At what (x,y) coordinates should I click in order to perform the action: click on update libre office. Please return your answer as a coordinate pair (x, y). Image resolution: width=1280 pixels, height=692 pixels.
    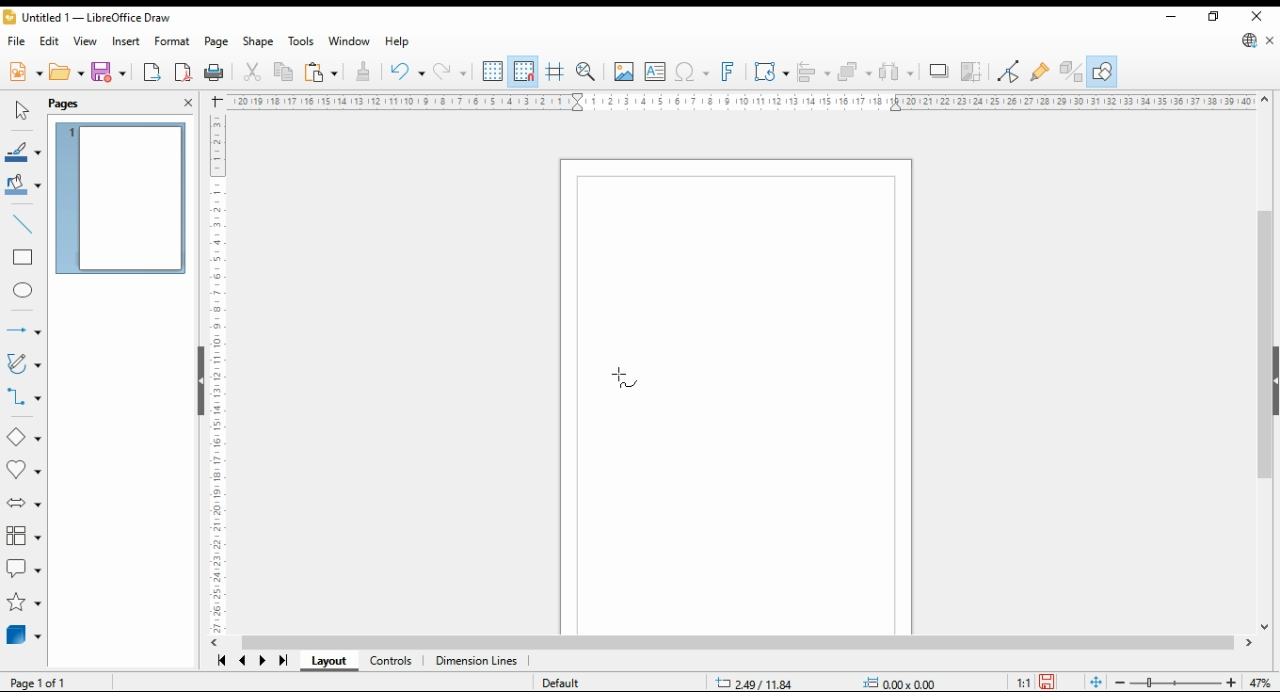
    Looking at the image, I should click on (1248, 40).